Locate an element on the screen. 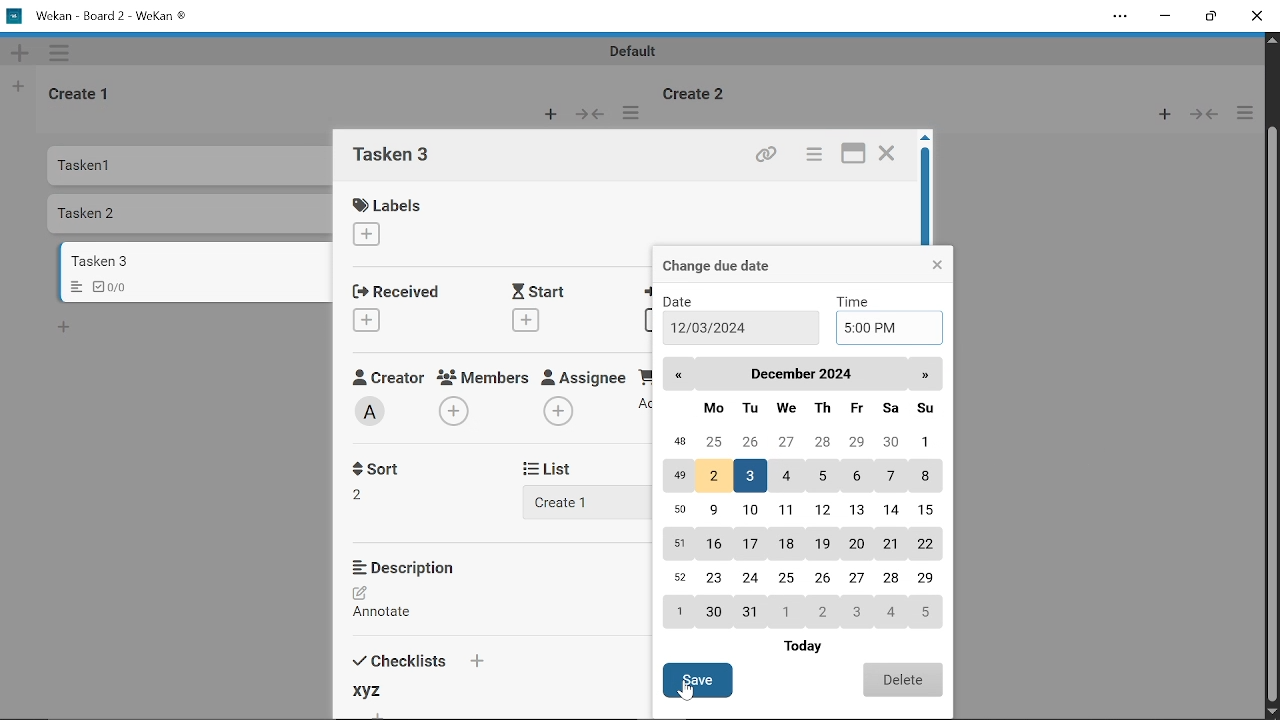  Requested By is located at coordinates (645, 375).